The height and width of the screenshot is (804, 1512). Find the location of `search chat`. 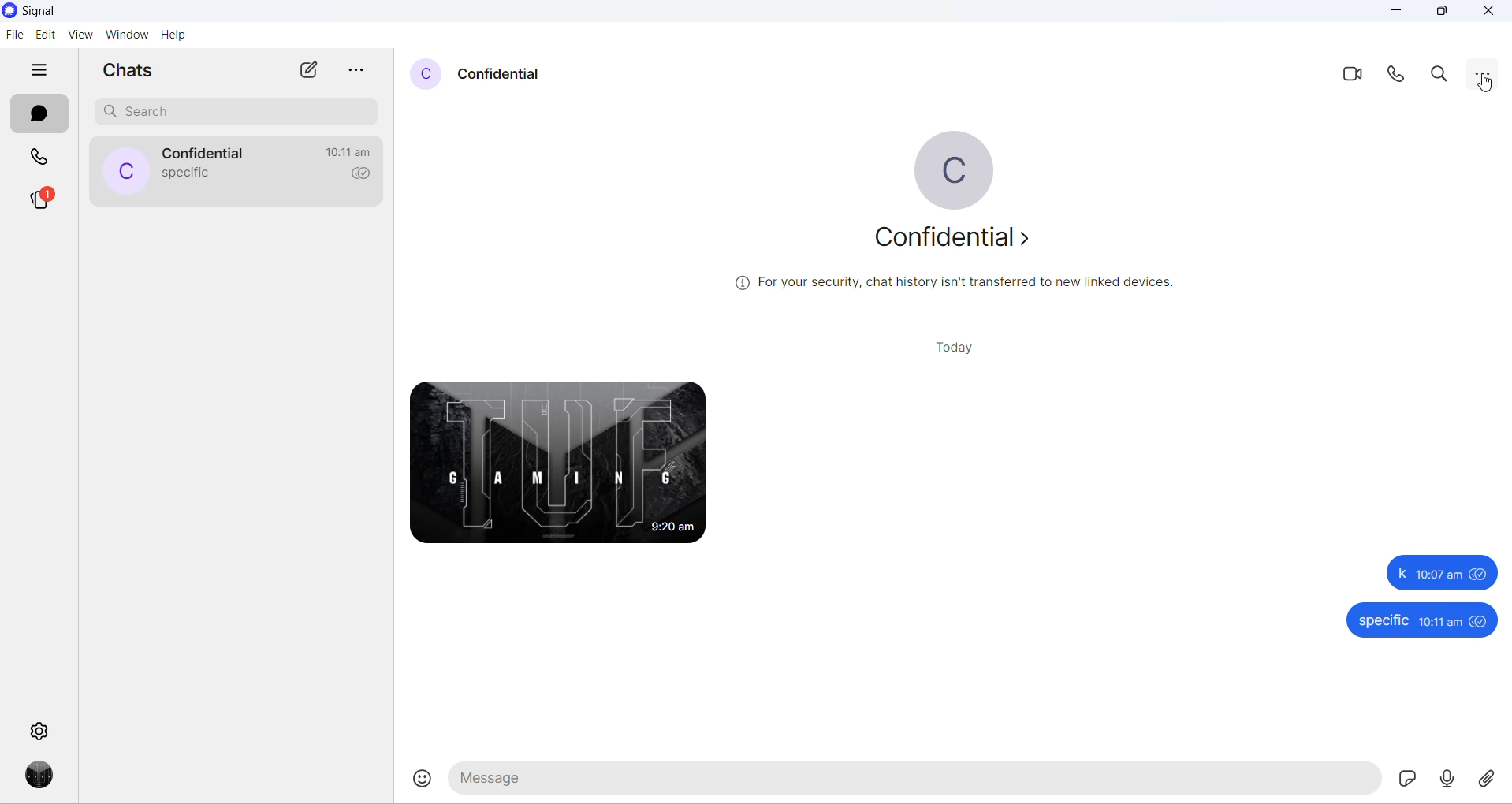

search chat is located at coordinates (240, 113).